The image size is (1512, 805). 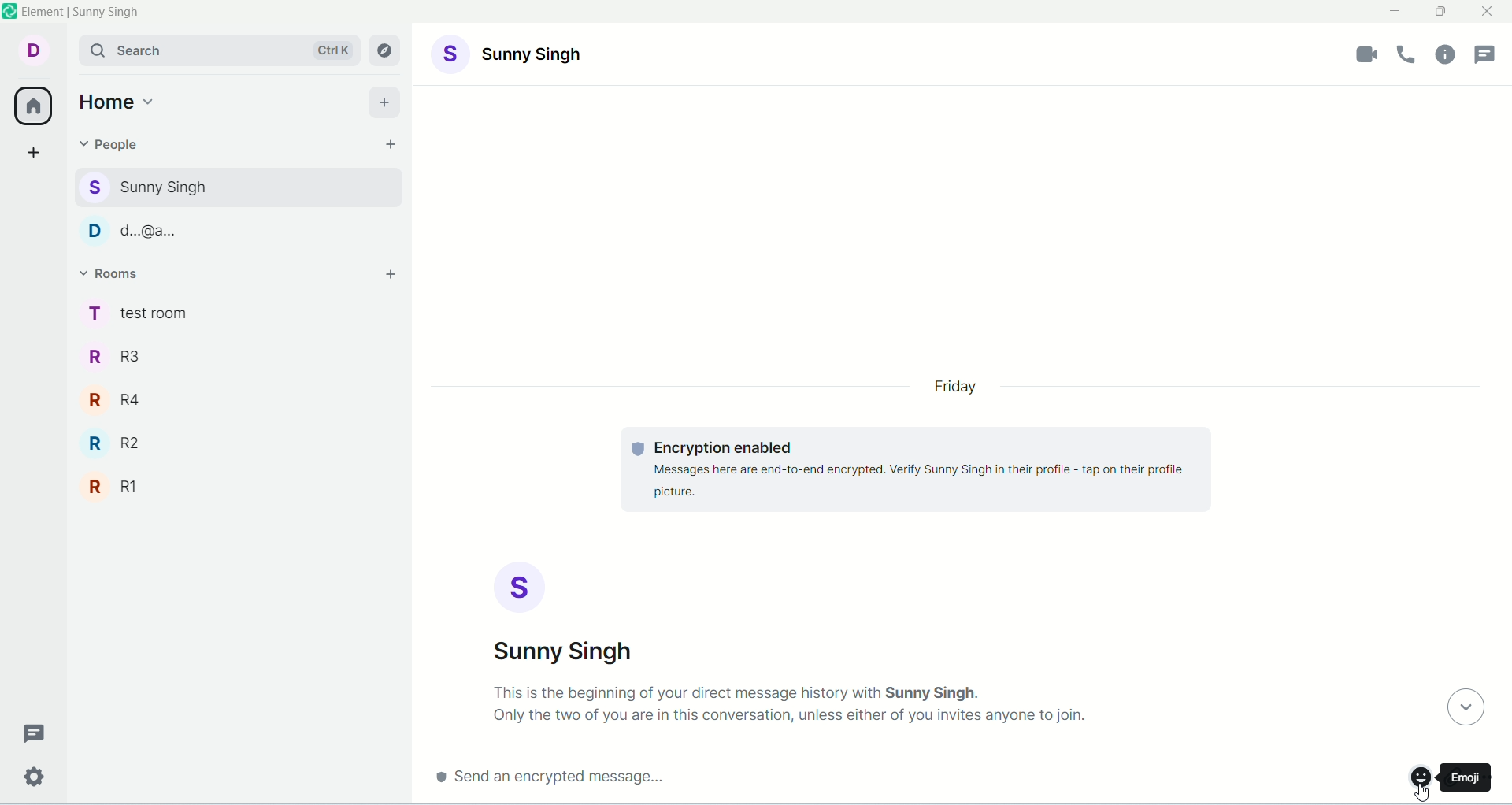 What do you see at coordinates (1445, 58) in the screenshot?
I see `room info` at bounding box center [1445, 58].